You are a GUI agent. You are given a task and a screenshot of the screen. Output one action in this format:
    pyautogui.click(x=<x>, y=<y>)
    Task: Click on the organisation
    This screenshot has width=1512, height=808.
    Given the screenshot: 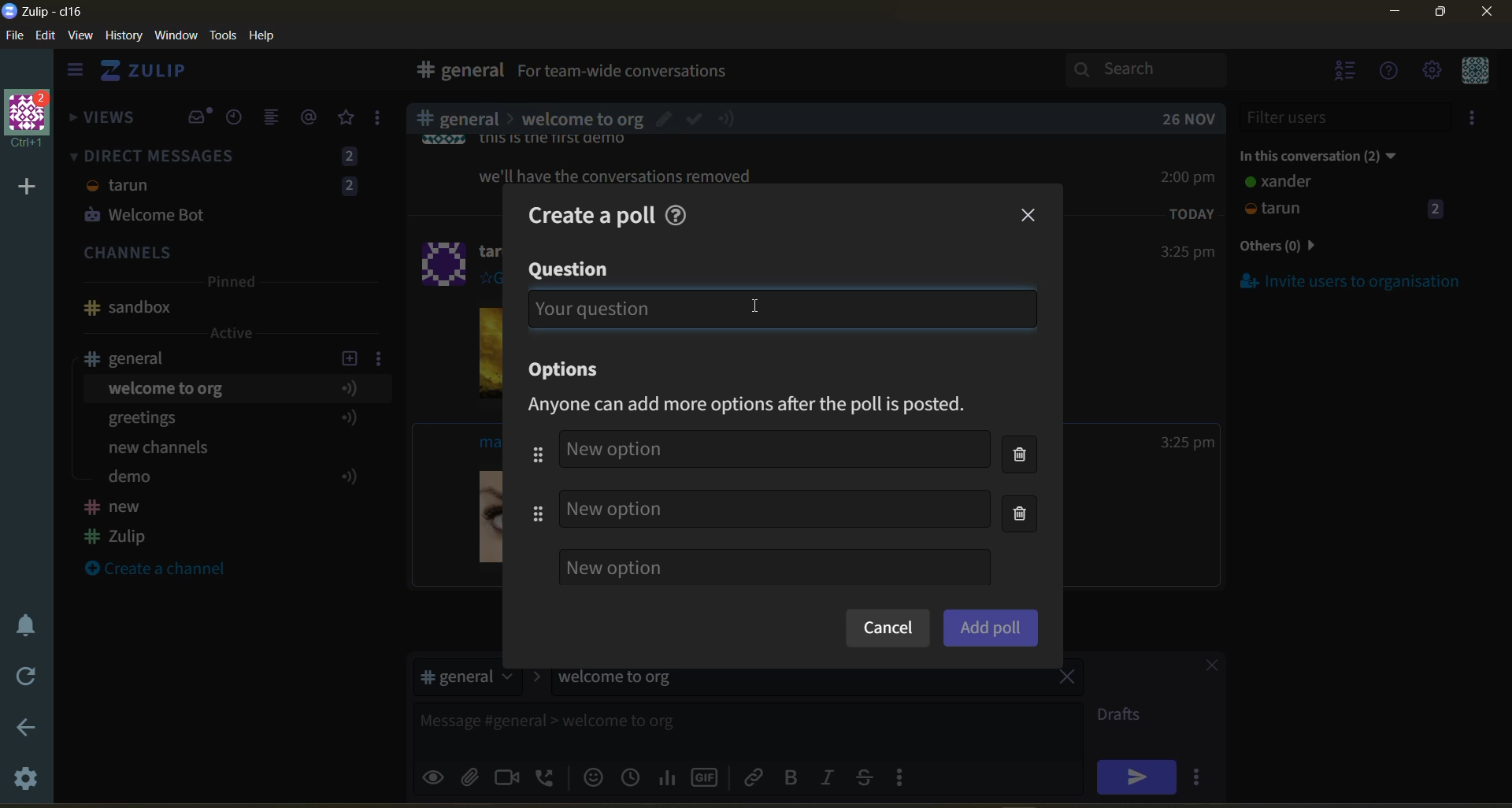 What is the action you would take?
    pyautogui.click(x=31, y=120)
    